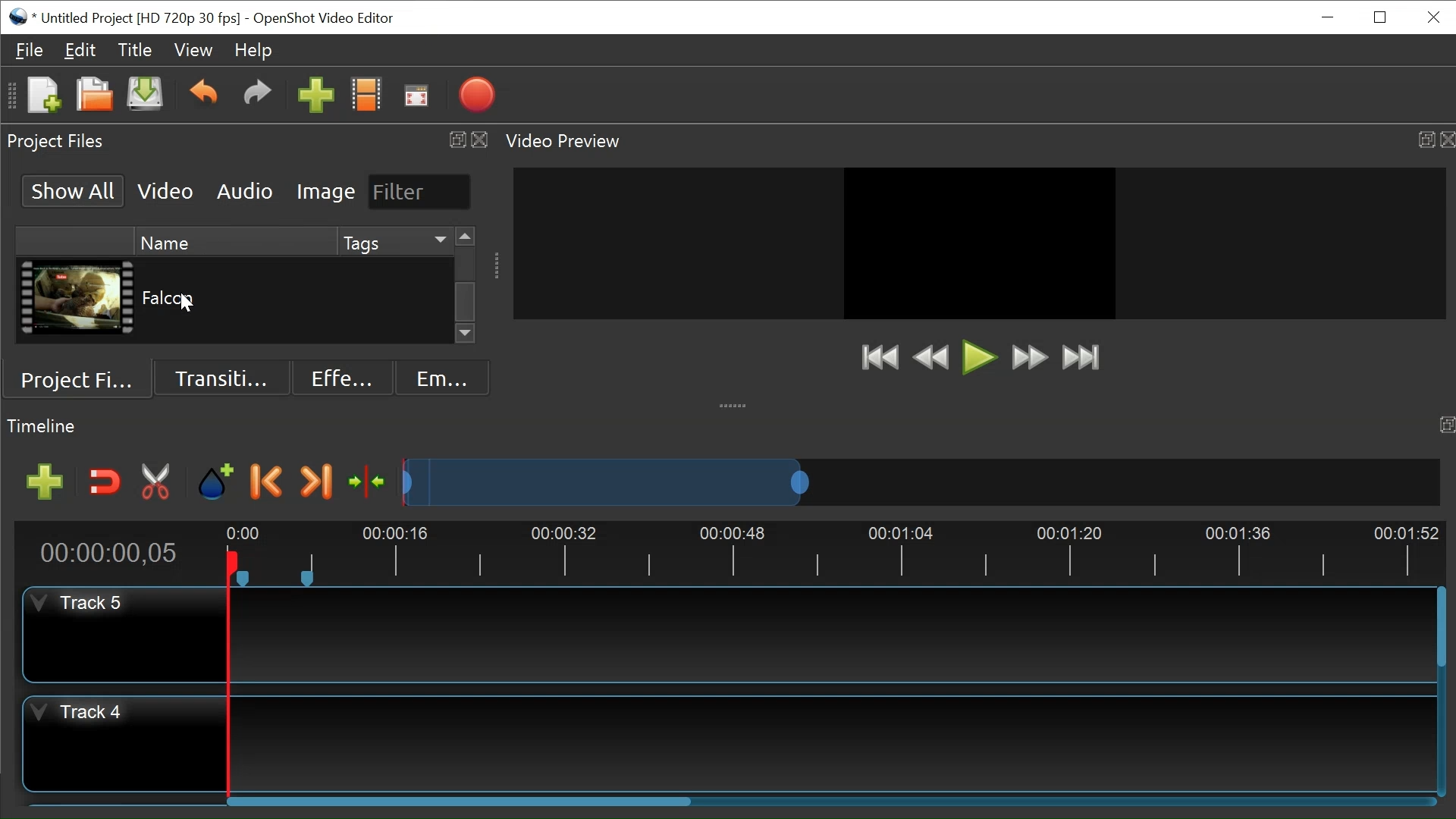 The image size is (1456, 819). Describe the element at coordinates (476, 96) in the screenshot. I see `Export Video` at that location.